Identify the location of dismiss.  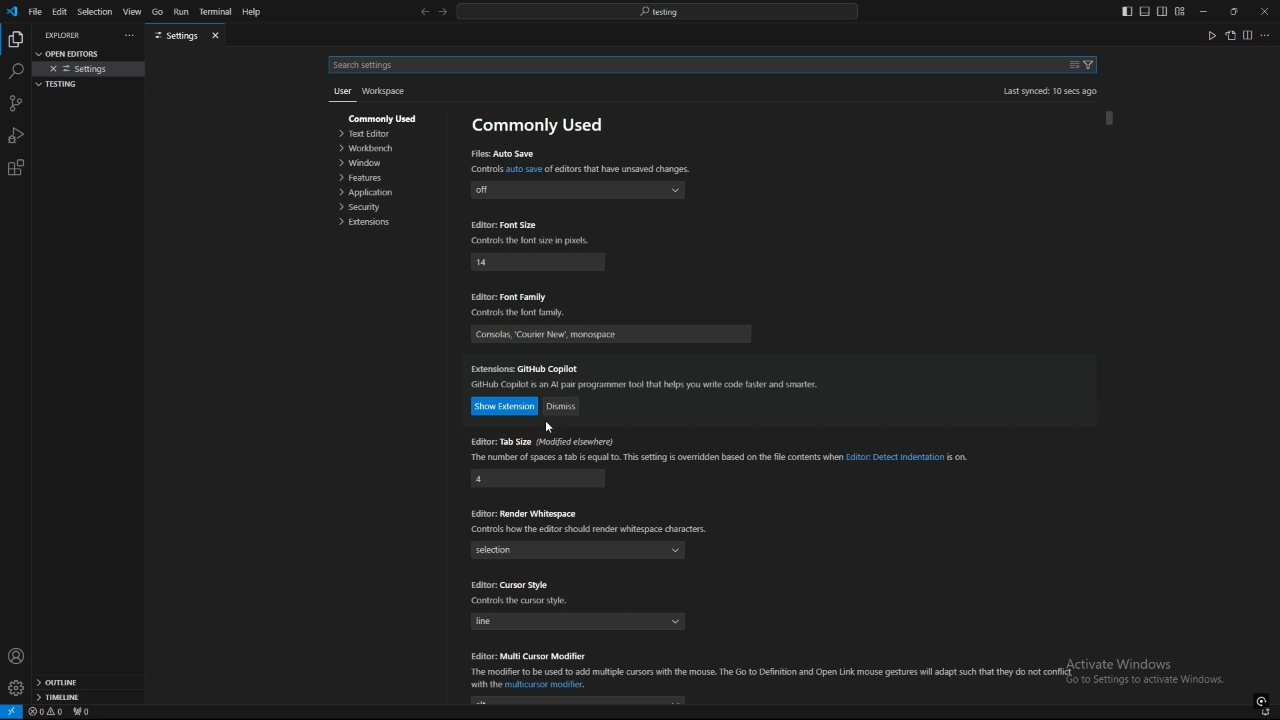
(563, 407).